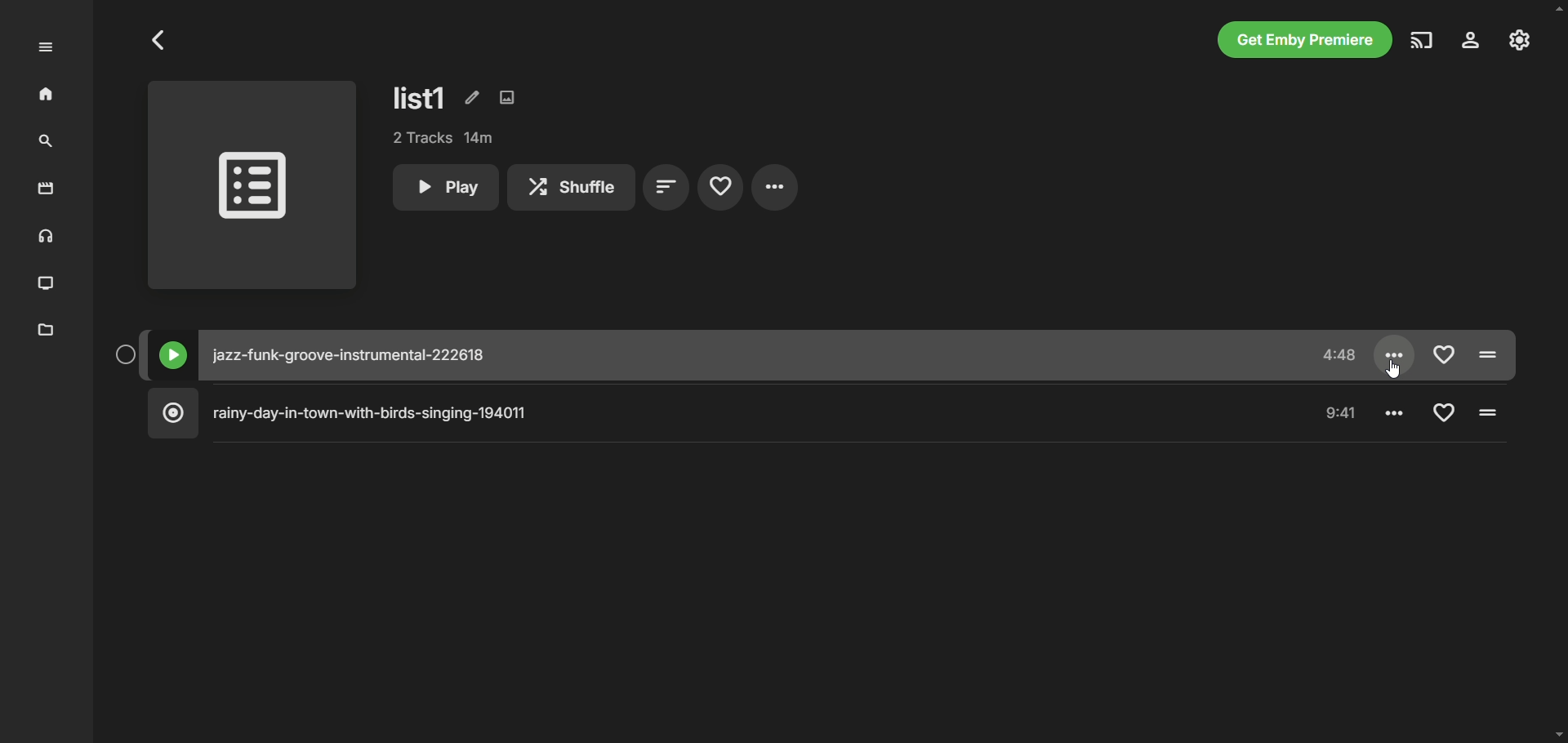  Describe the element at coordinates (1444, 412) in the screenshot. I see `Add to favorite` at that location.